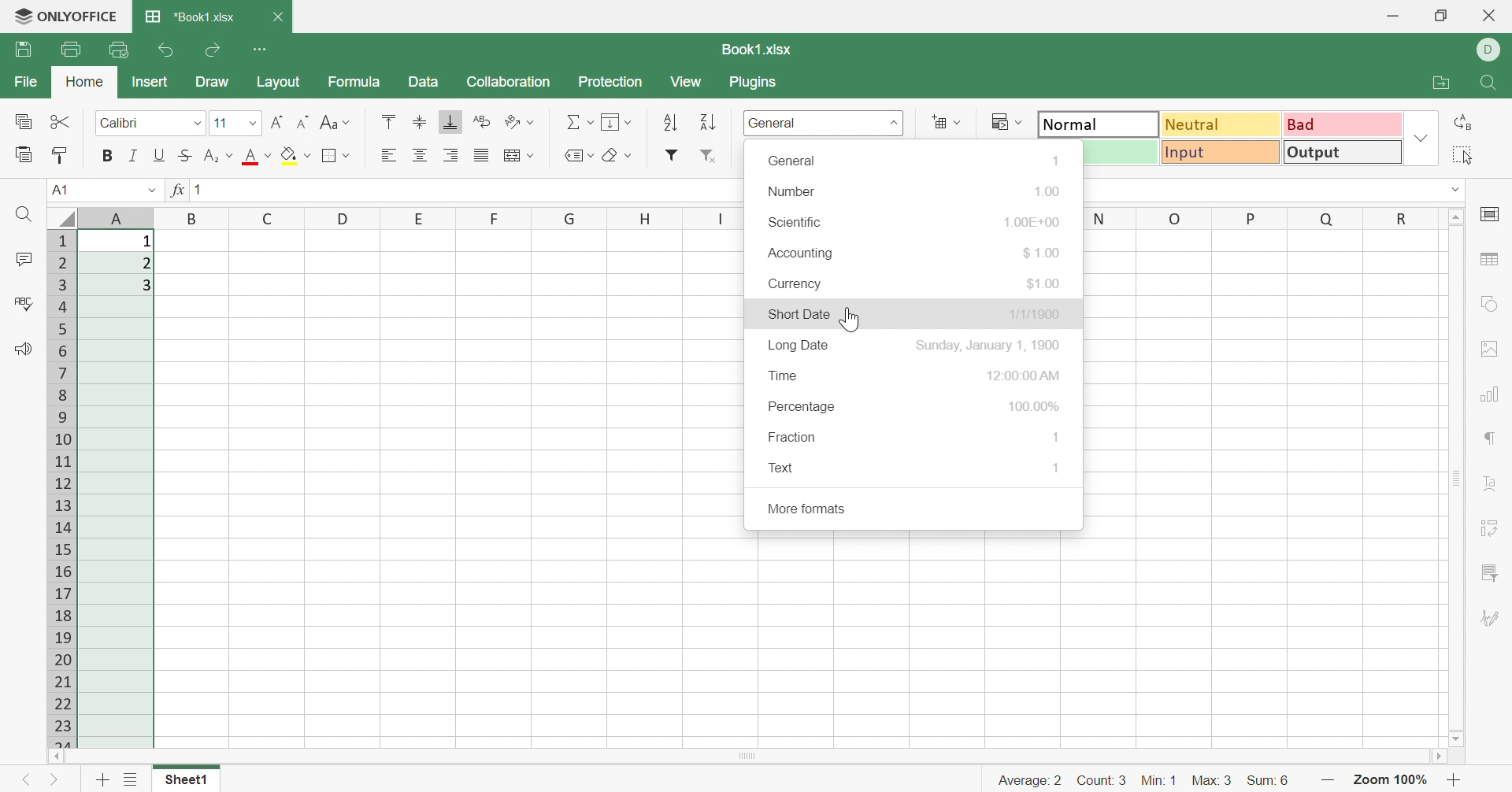 Image resolution: width=1512 pixels, height=792 pixels. I want to click on Next, so click(54, 780).